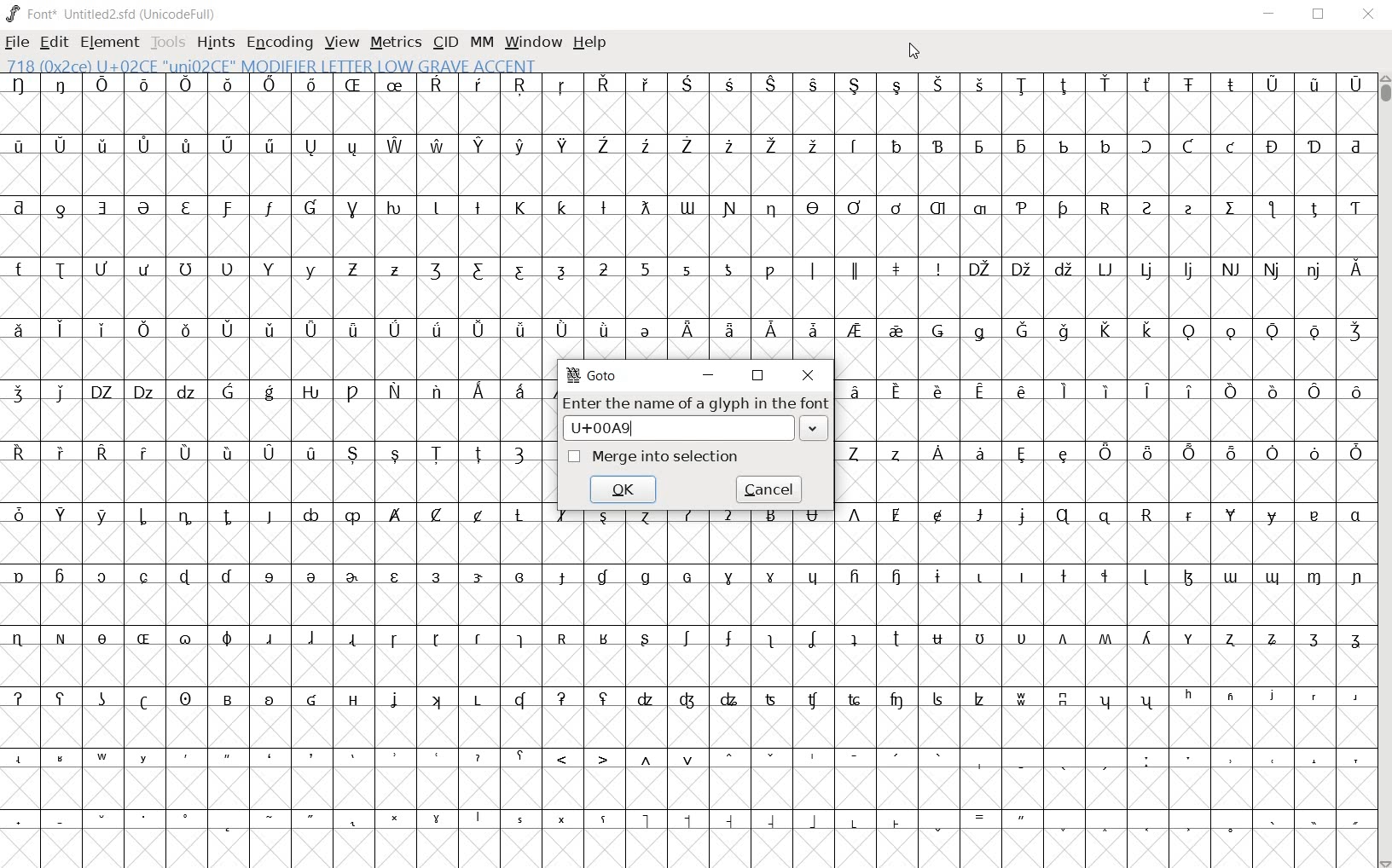 Image resolution: width=1392 pixels, height=868 pixels. Describe the element at coordinates (52, 40) in the screenshot. I see `edit` at that location.